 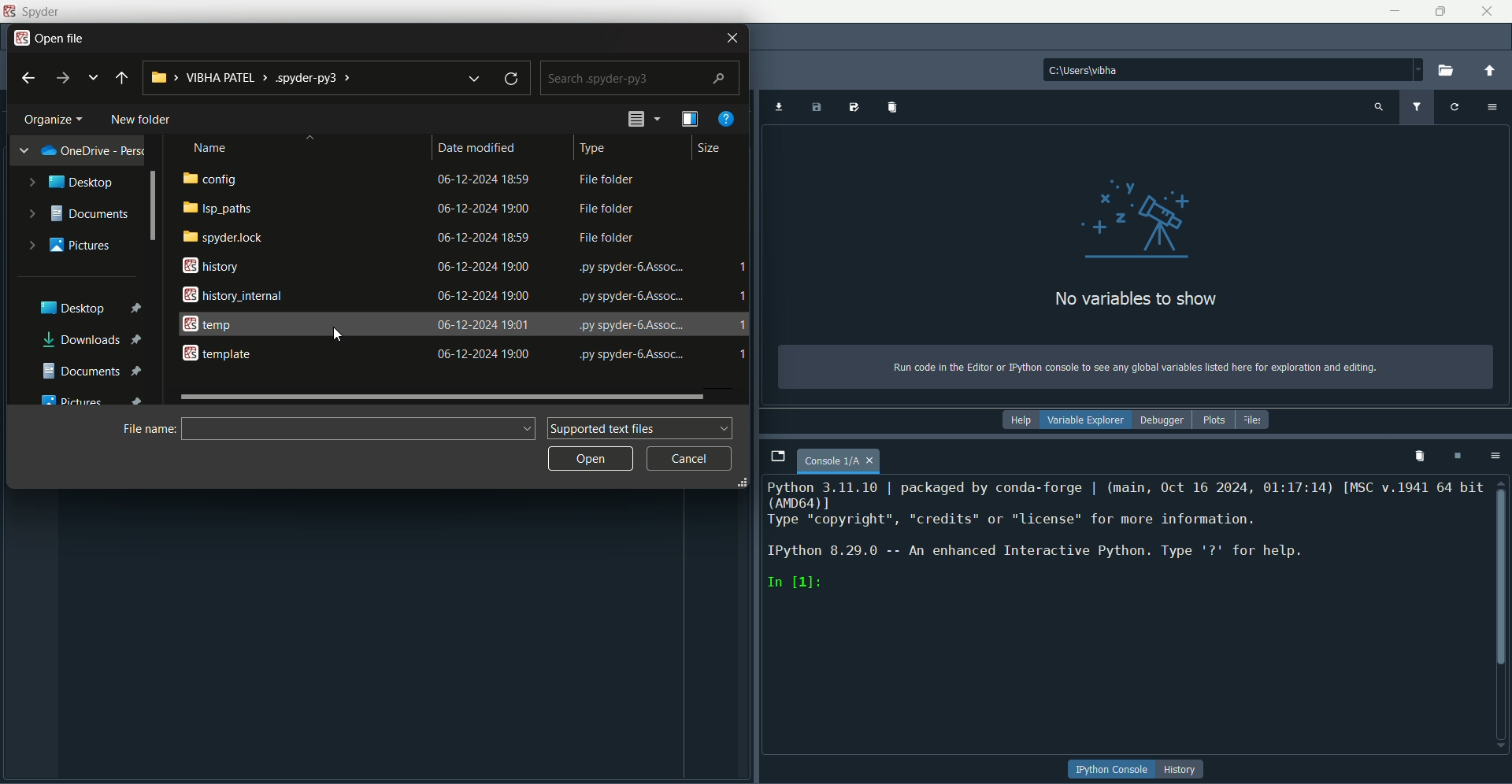 What do you see at coordinates (1125, 537) in the screenshot?
I see `text` at bounding box center [1125, 537].